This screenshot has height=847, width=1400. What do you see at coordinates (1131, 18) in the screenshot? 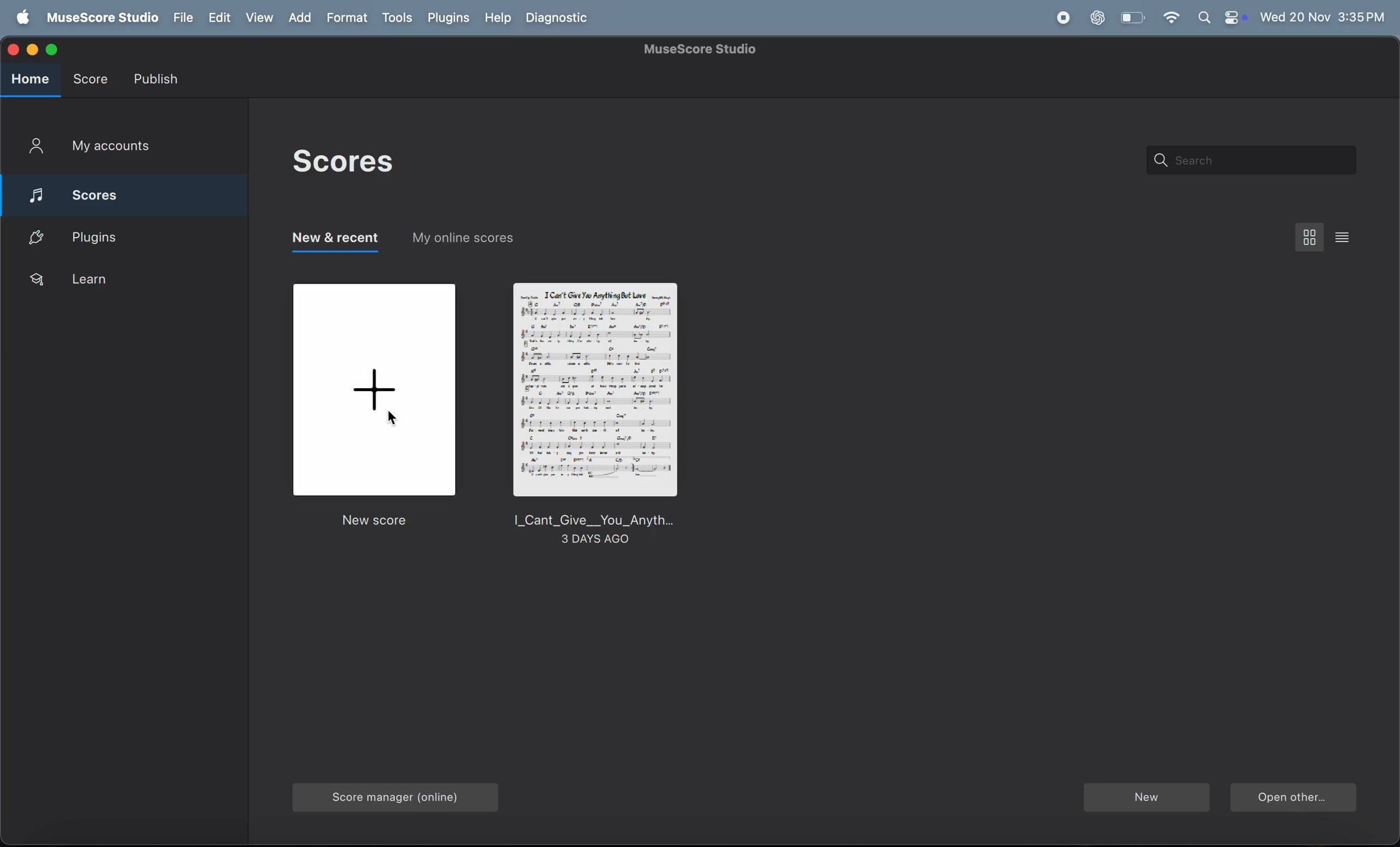
I see `battery` at bounding box center [1131, 18].